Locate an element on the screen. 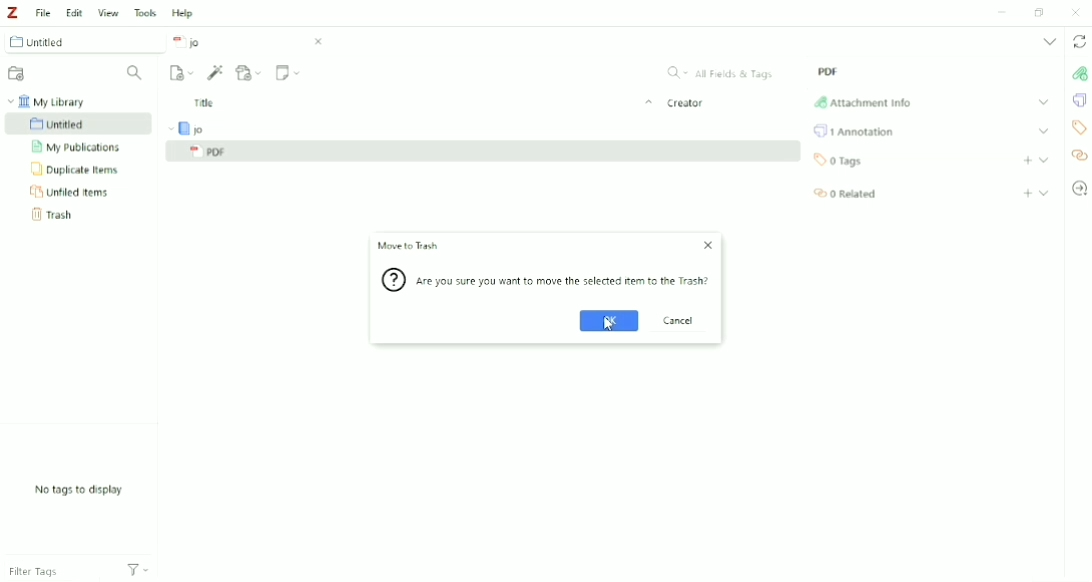 The height and width of the screenshot is (582, 1092). Cursor is located at coordinates (606, 326).